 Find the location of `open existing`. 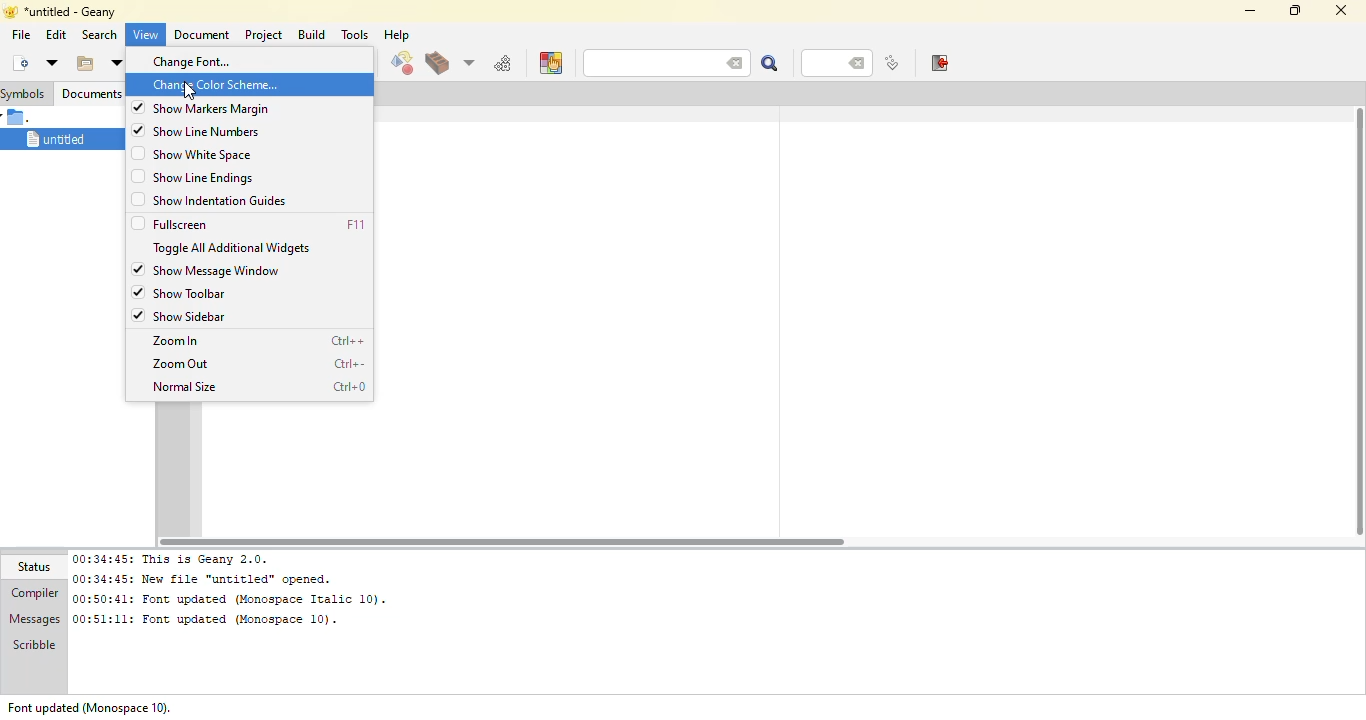

open existing is located at coordinates (83, 63).